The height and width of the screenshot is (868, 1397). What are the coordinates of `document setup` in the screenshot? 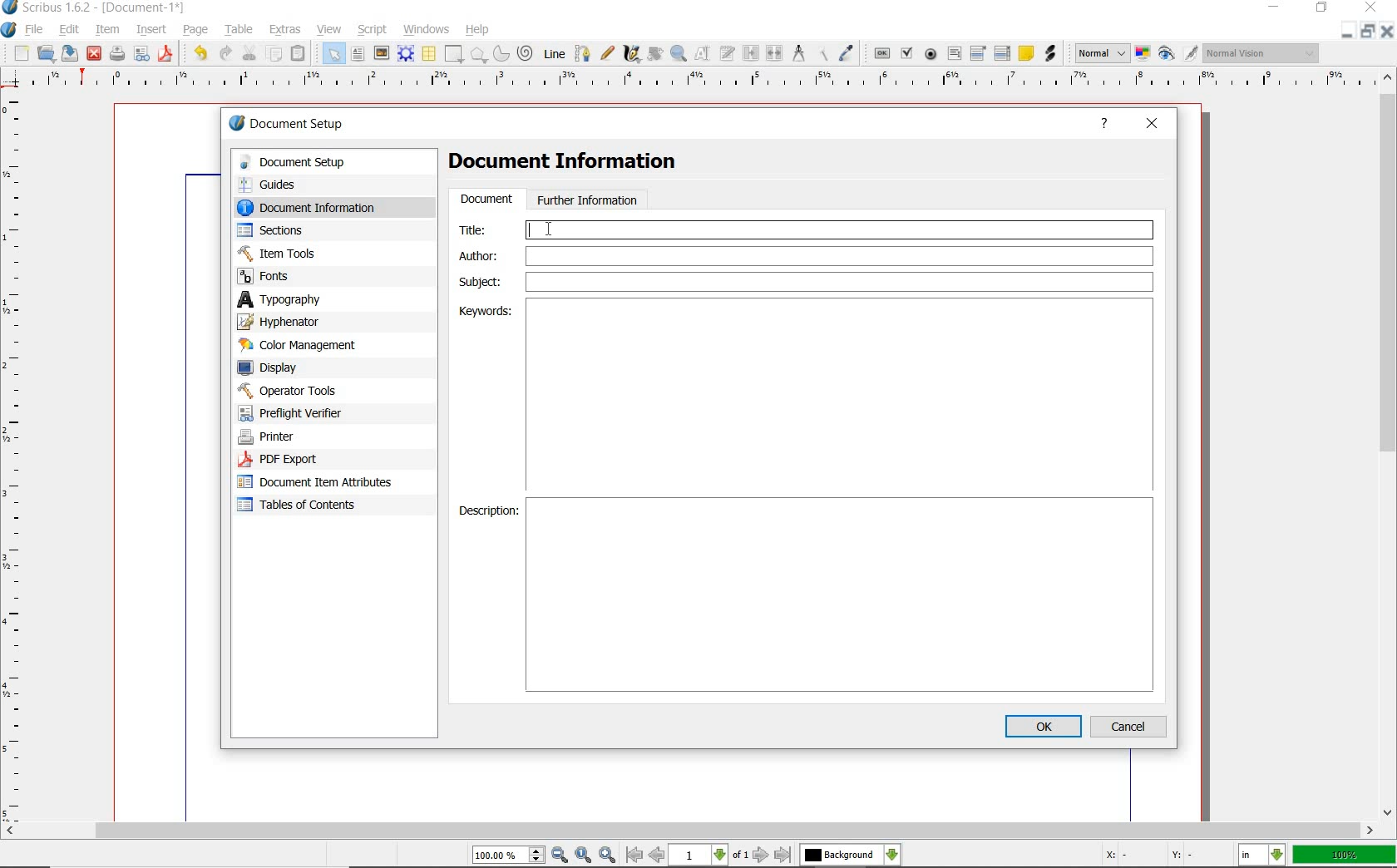 It's located at (288, 123).